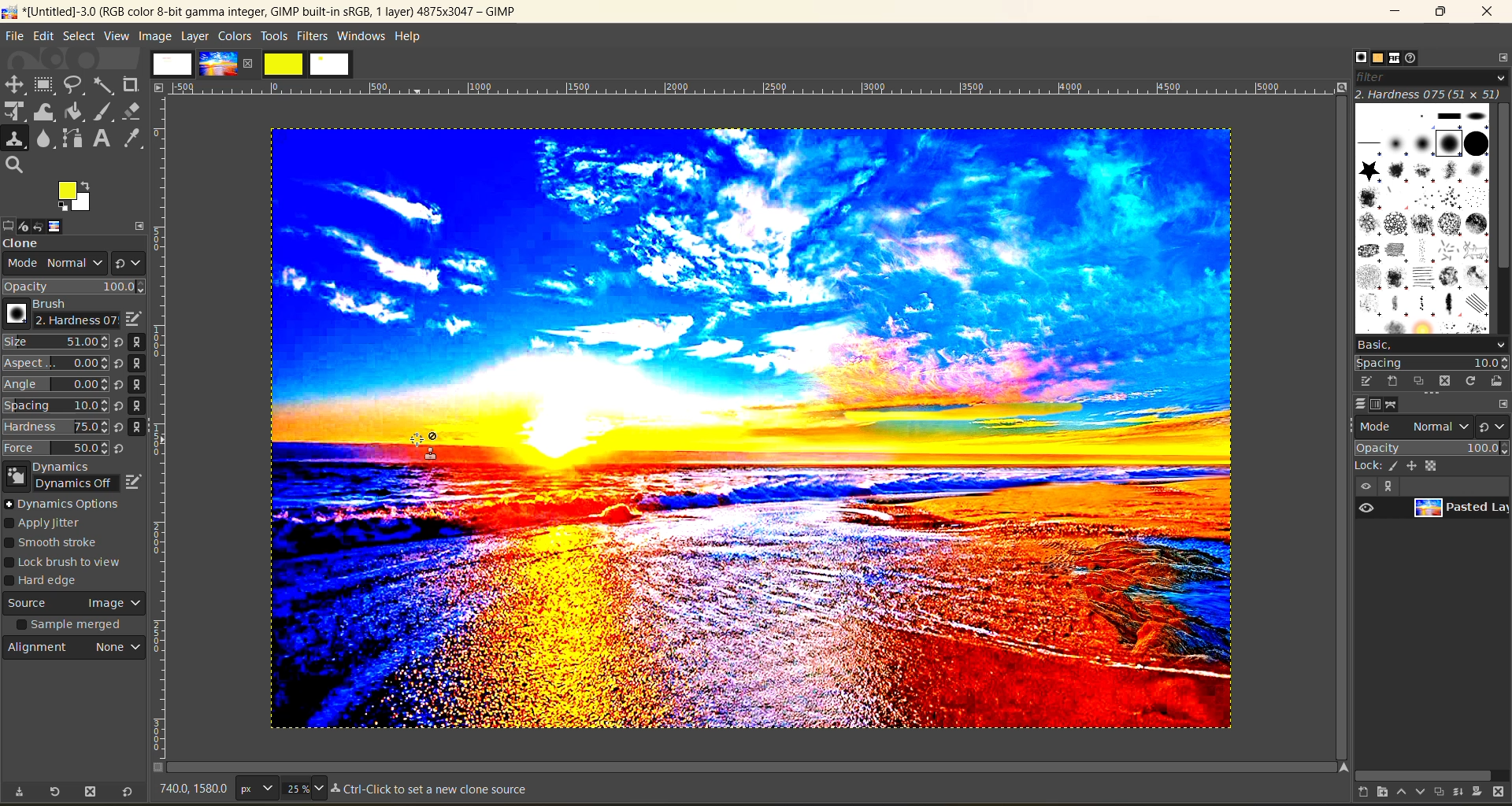 The width and height of the screenshot is (1512, 806). I want to click on image, so click(154, 35).